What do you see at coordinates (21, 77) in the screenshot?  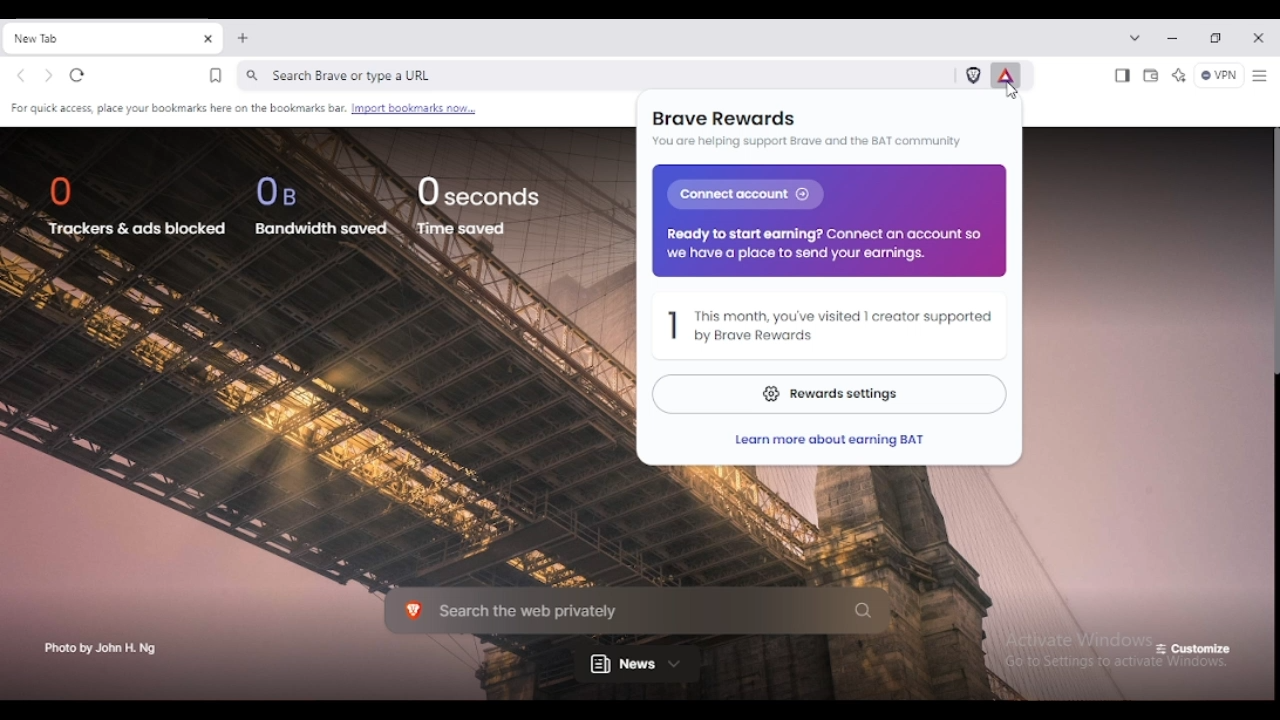 I see `go back` at bounding box center [21, 77].